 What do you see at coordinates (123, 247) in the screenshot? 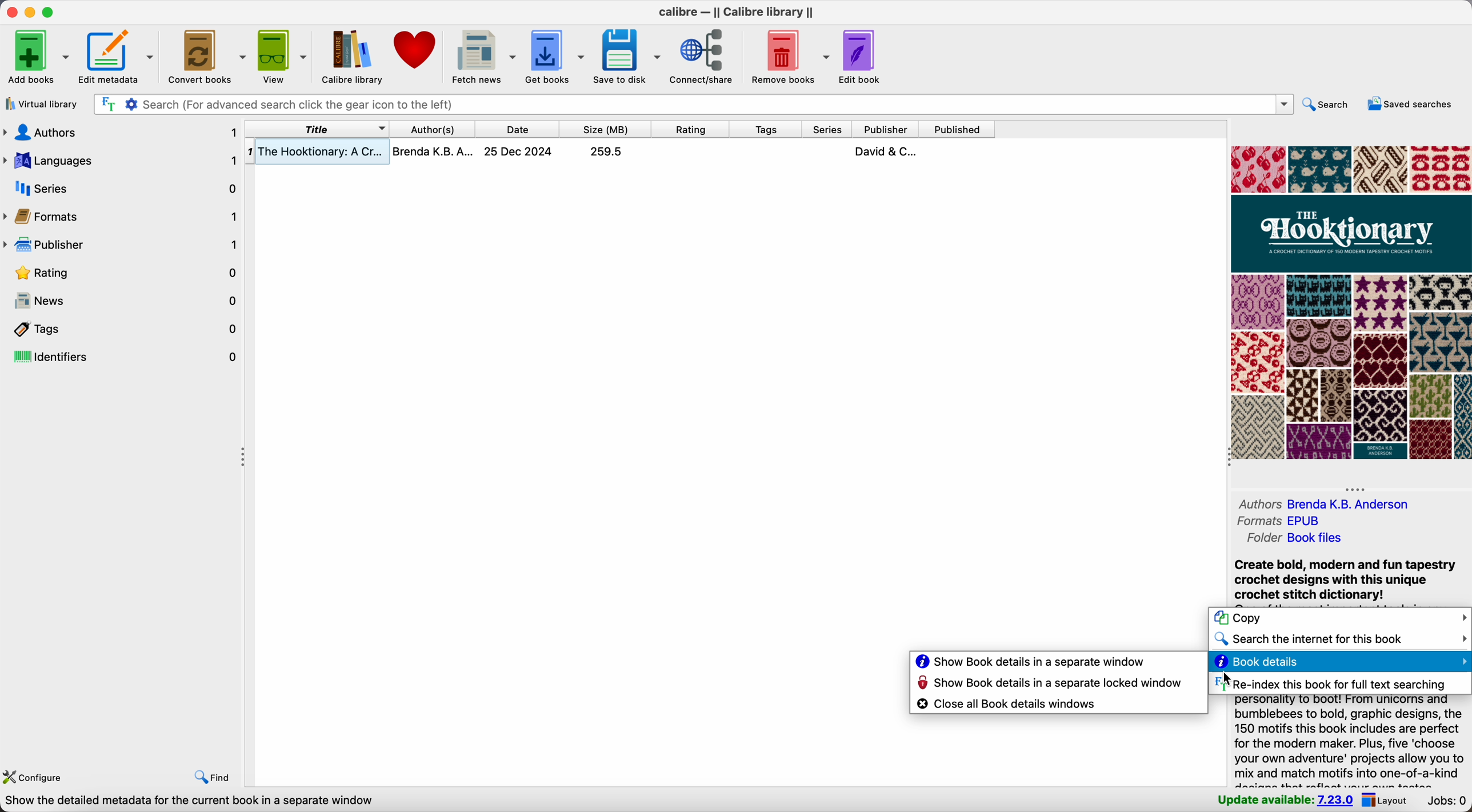
I see `publisher` at bounding box center [123, 247].